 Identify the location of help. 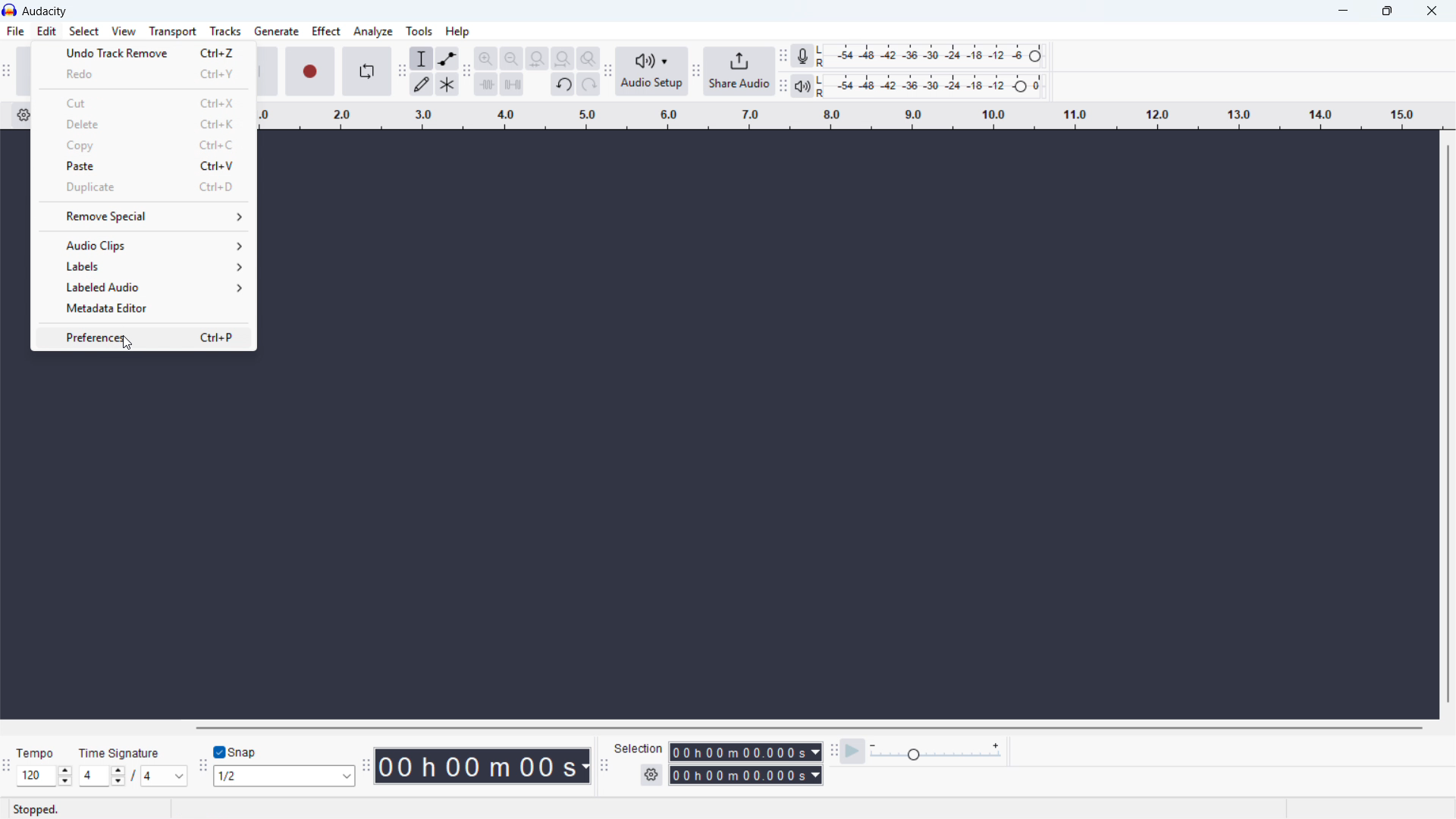
(458, 31).